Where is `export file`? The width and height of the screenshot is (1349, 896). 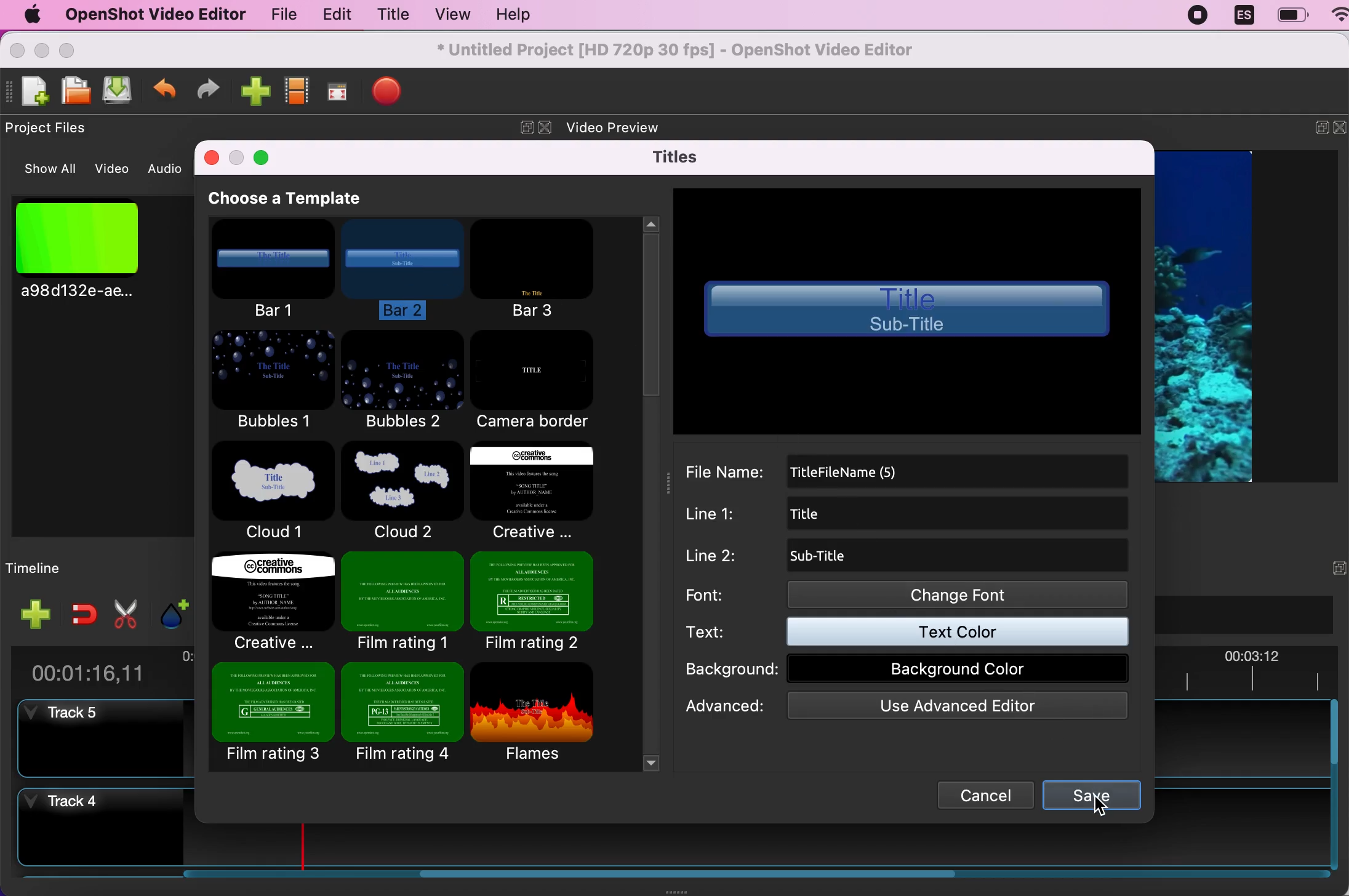 export file is located at coordinates (396, 94).